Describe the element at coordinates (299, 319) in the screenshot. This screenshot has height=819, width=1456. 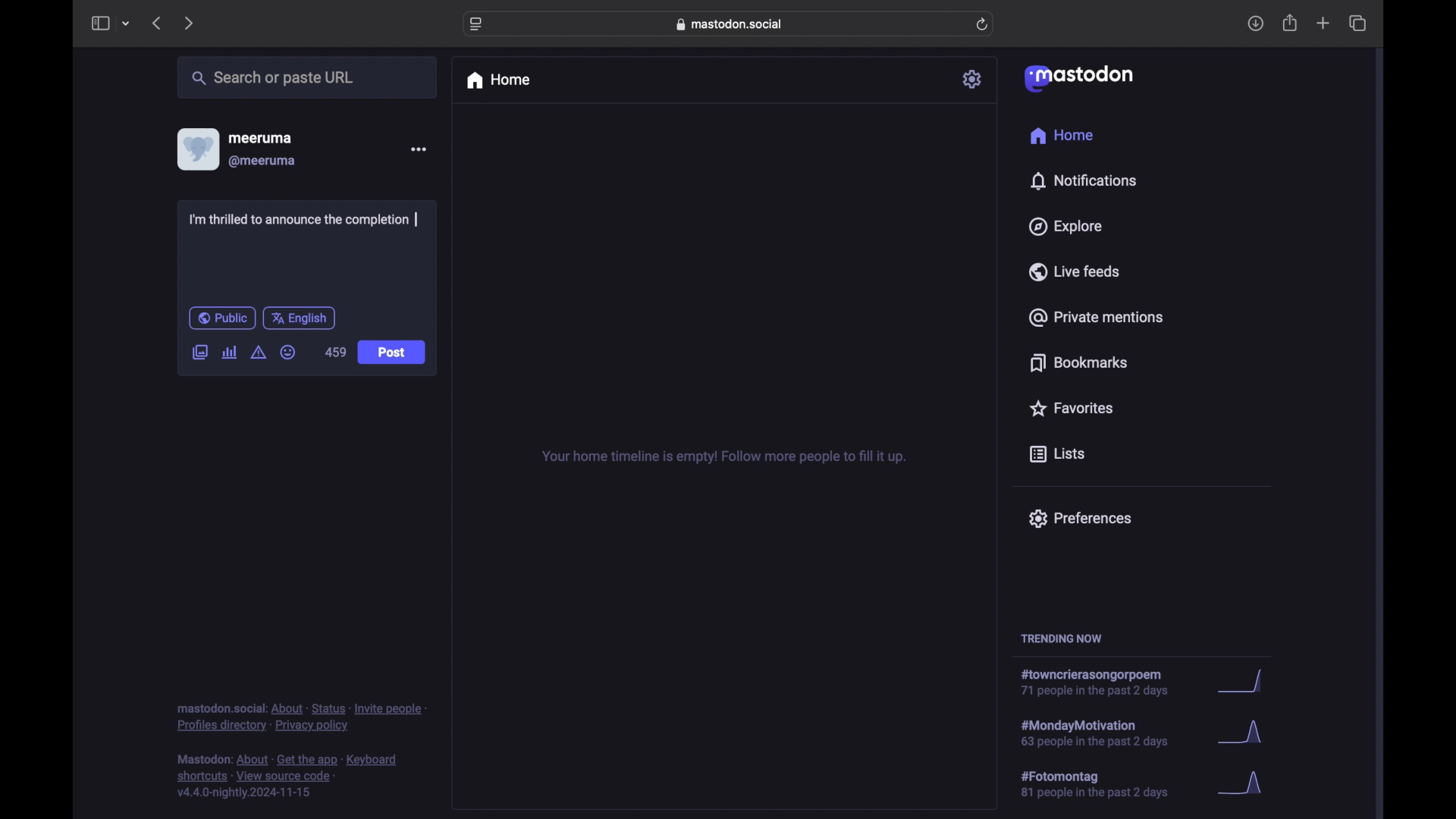
I see `english` at that location.